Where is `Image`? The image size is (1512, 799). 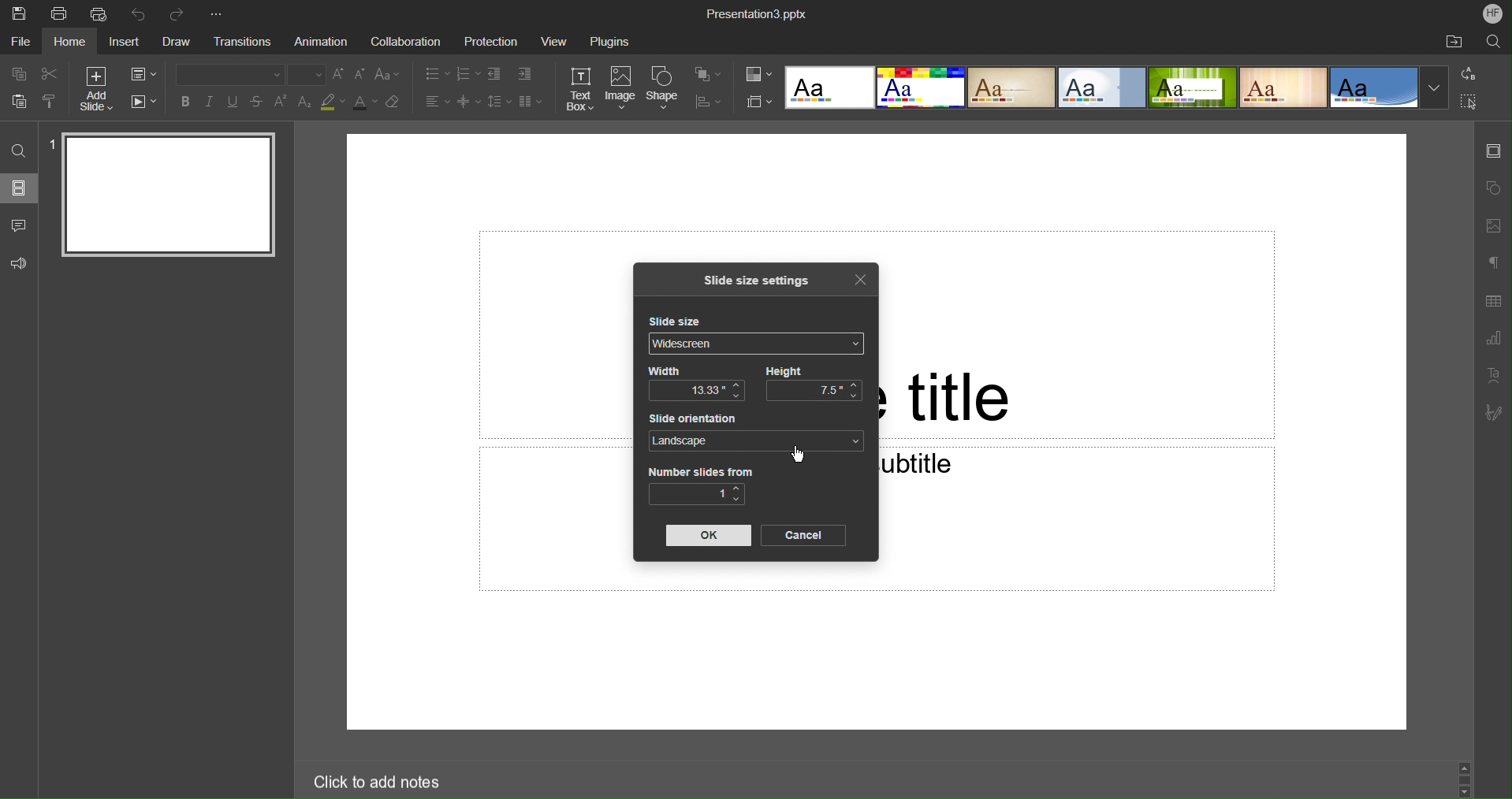
Image is located at coordinates (621, 89).